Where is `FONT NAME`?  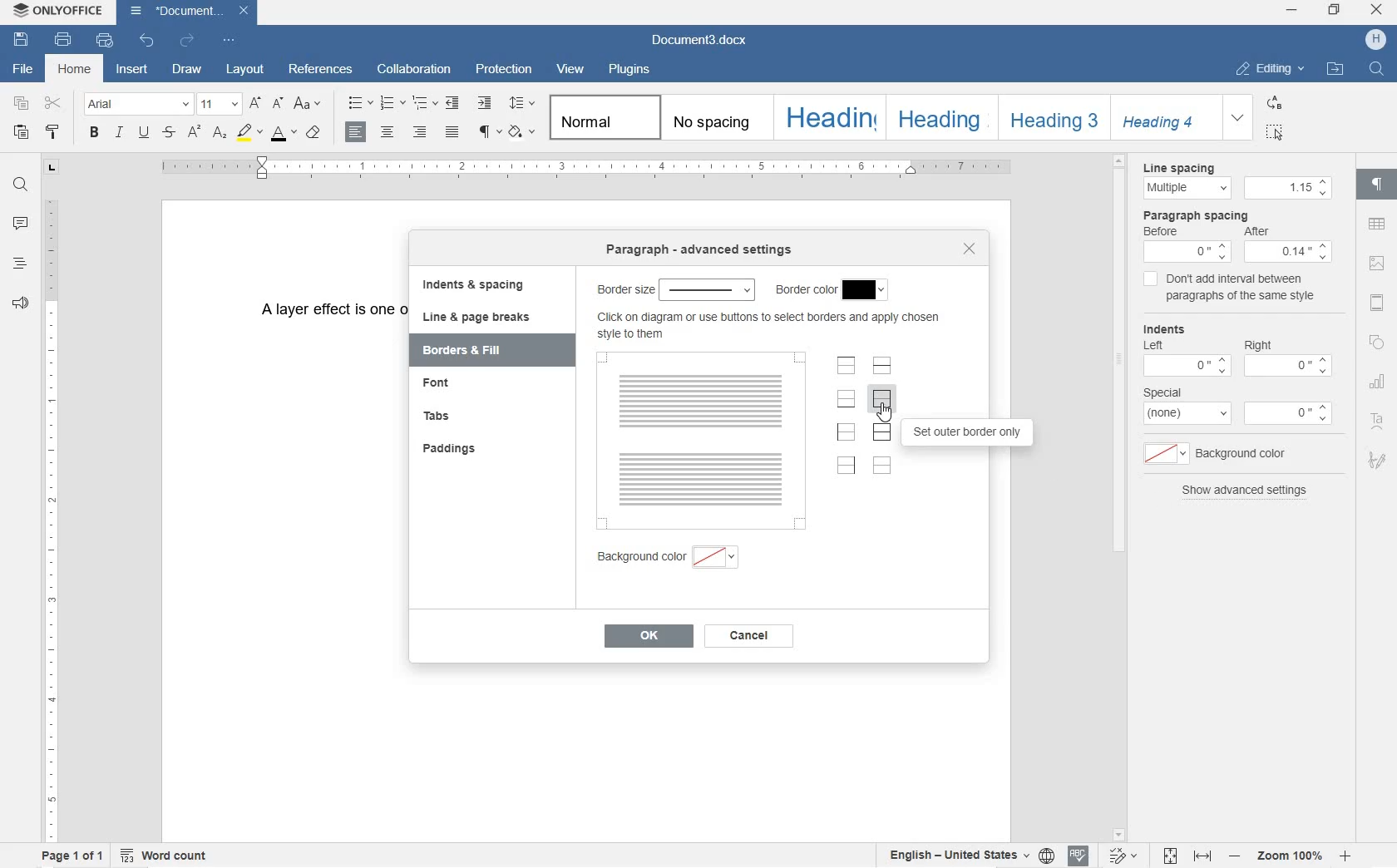
FONT NAME is located at coordinates (136, 106).